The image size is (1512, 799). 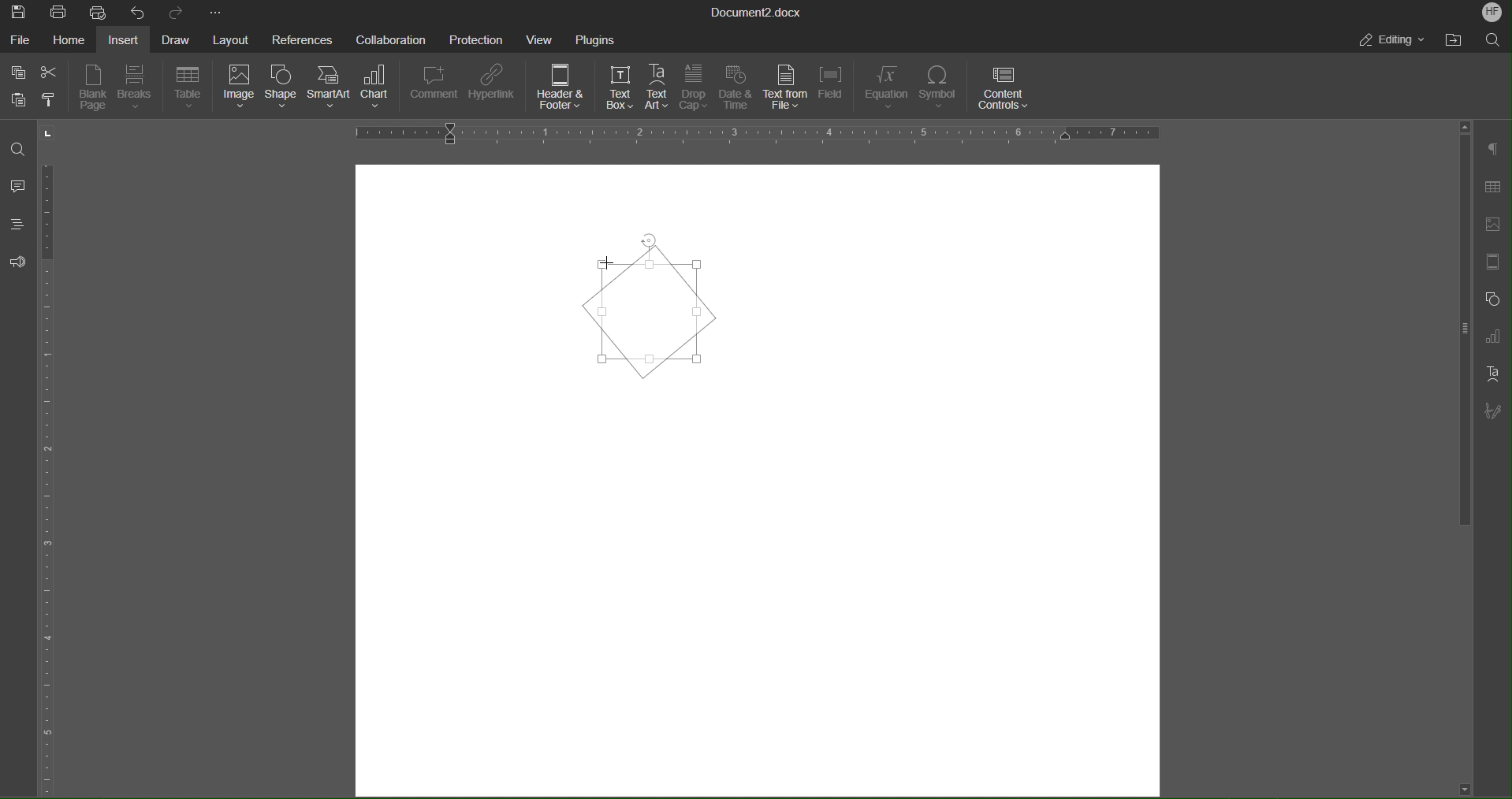 What do you see at coordinates (434, 88) in the screenshot?
I see `Comment` at bounding box center [434, 88].